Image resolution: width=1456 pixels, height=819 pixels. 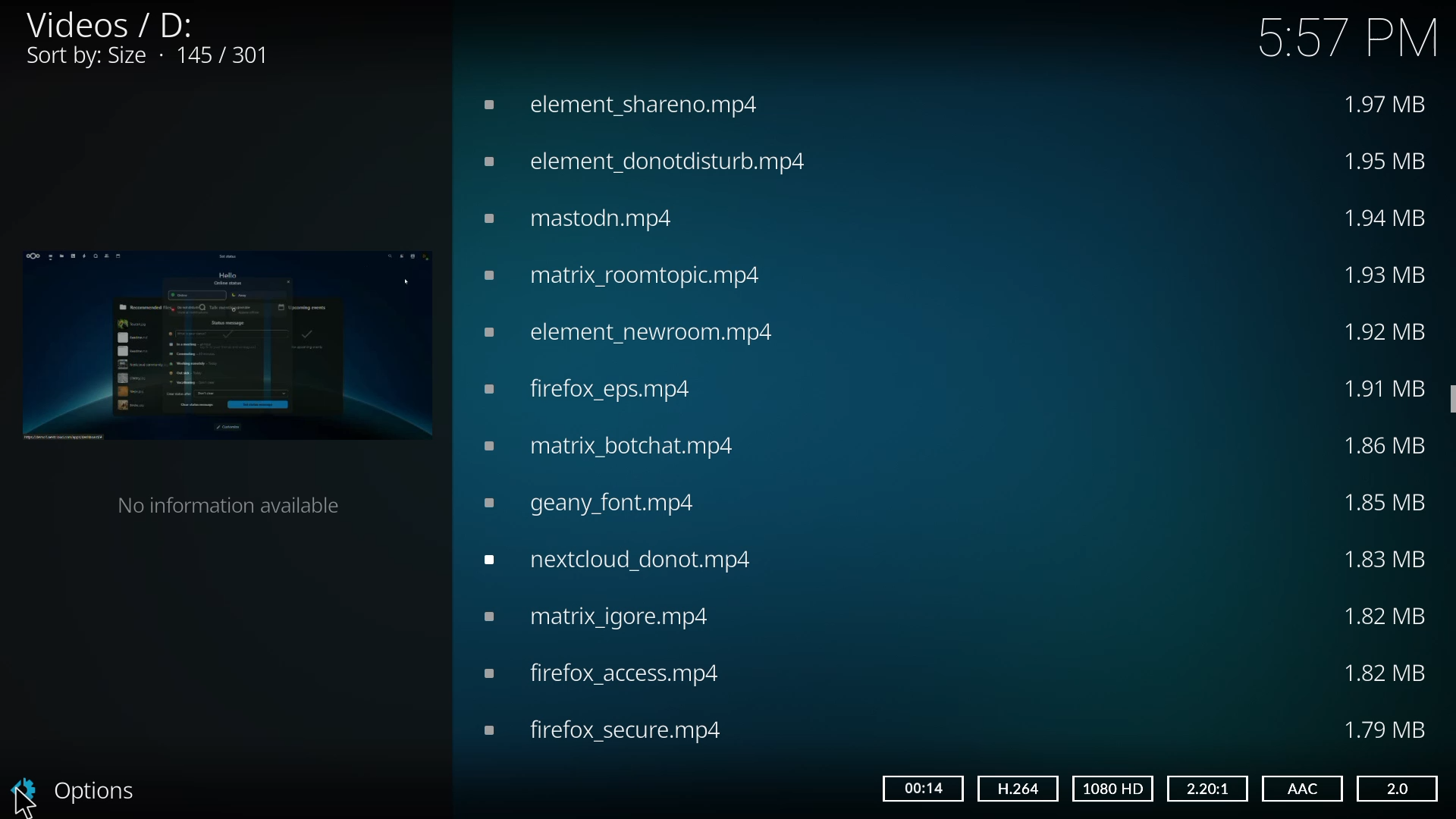 What do you see at coordinates (25, 801) in the screenshot?
I see `cursor` at bounding box center [25, 801].